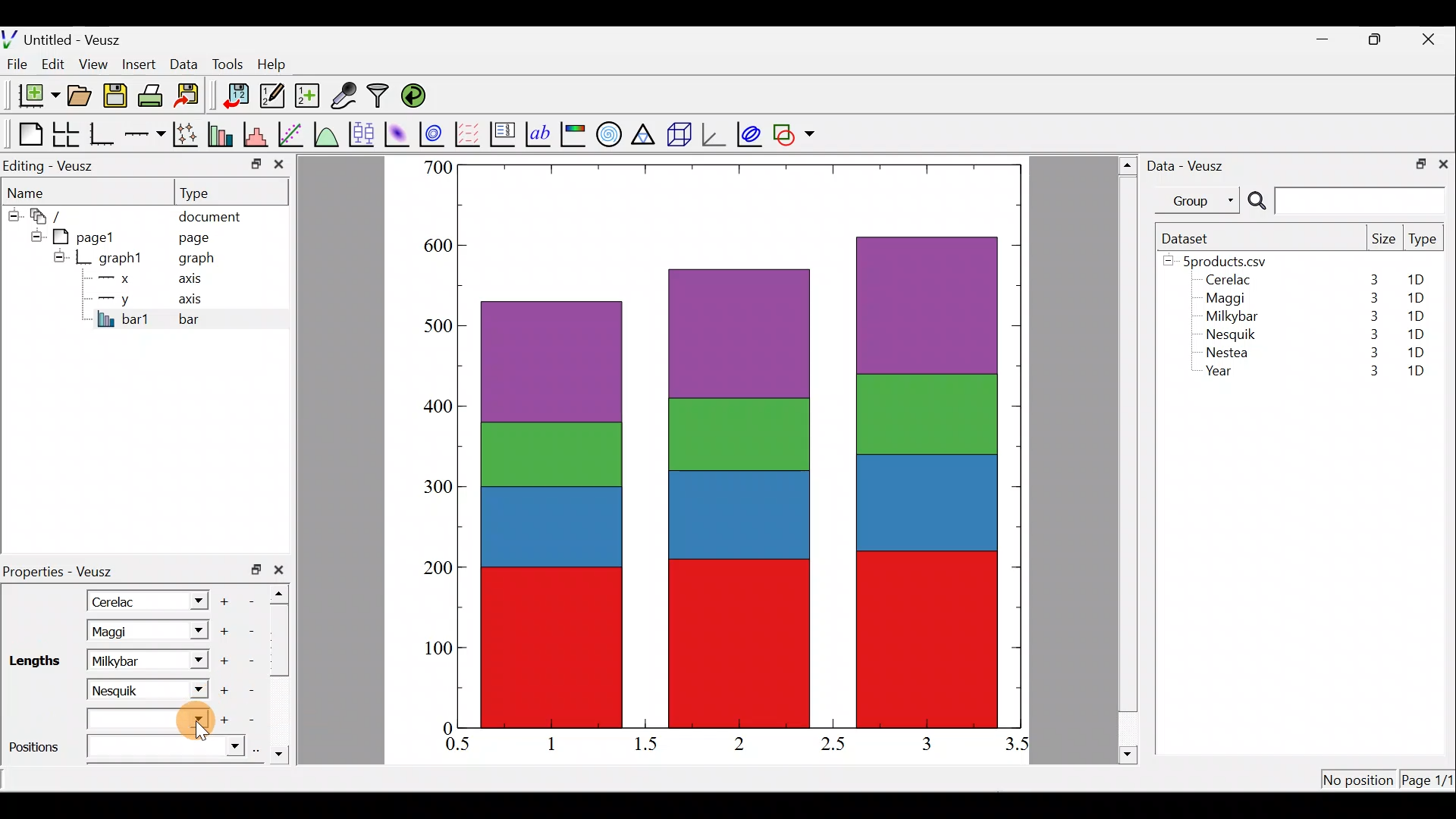 The height and width of the screenshot is (819, 1456). Describe the element at coordinates (260, 749) in the screenshot. I see `select using dataset browser` at that location.